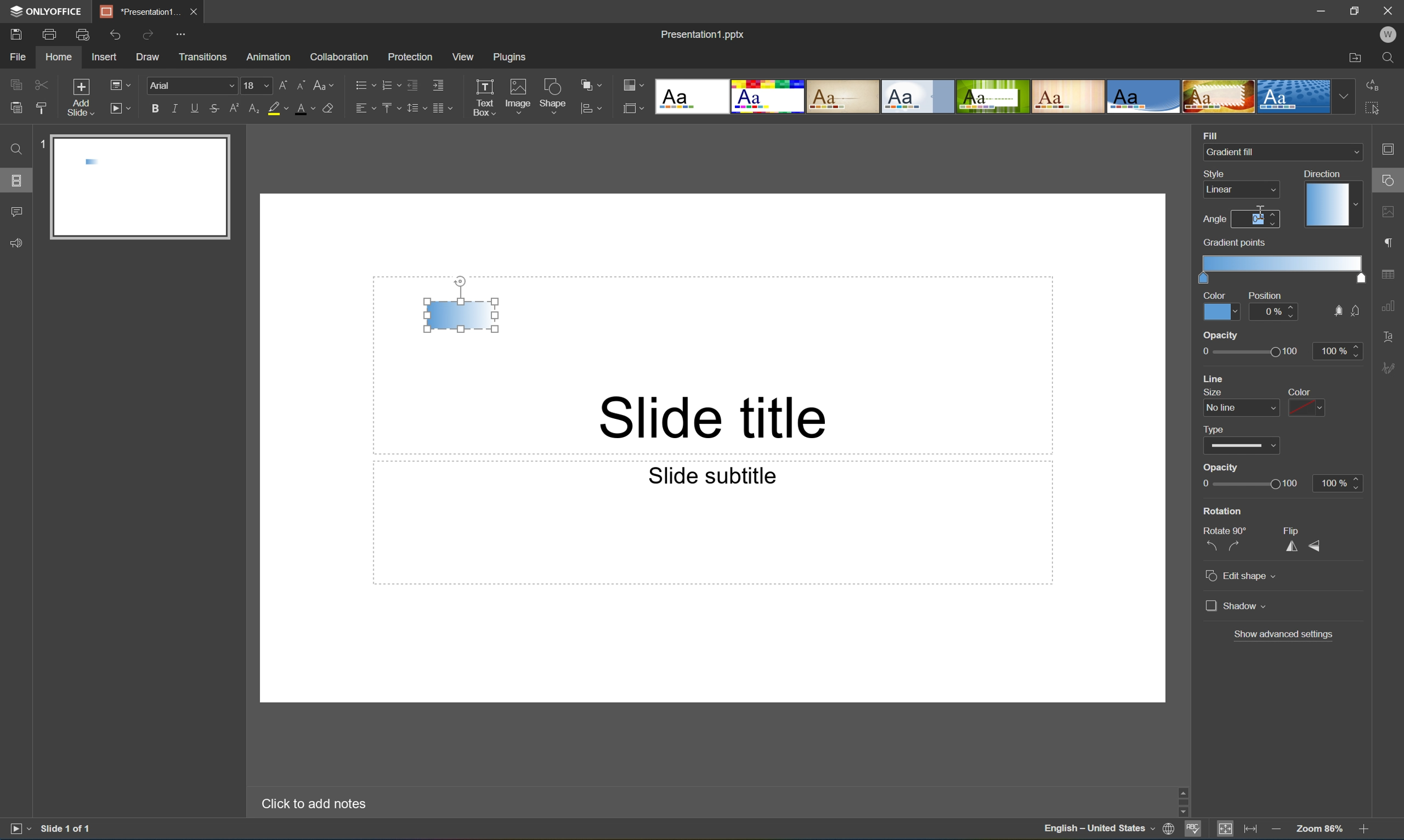 The height and width of the screenshot is (840, 1404). What do you see at coordinates (202, 56) in the screenshot?
I see `Transitions` at bounding box center [202, 56].